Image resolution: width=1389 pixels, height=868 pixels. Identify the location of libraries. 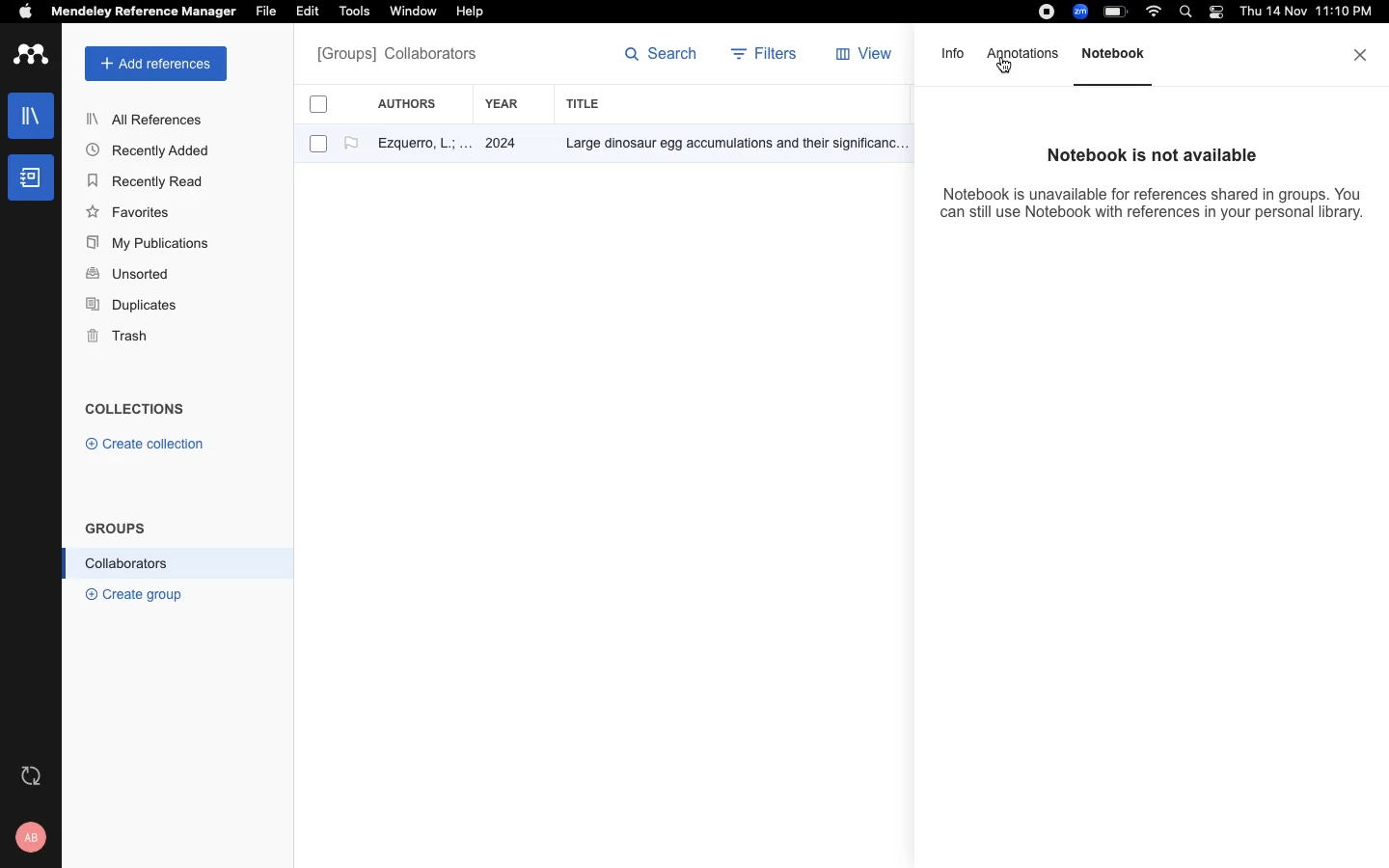
(29, 114).